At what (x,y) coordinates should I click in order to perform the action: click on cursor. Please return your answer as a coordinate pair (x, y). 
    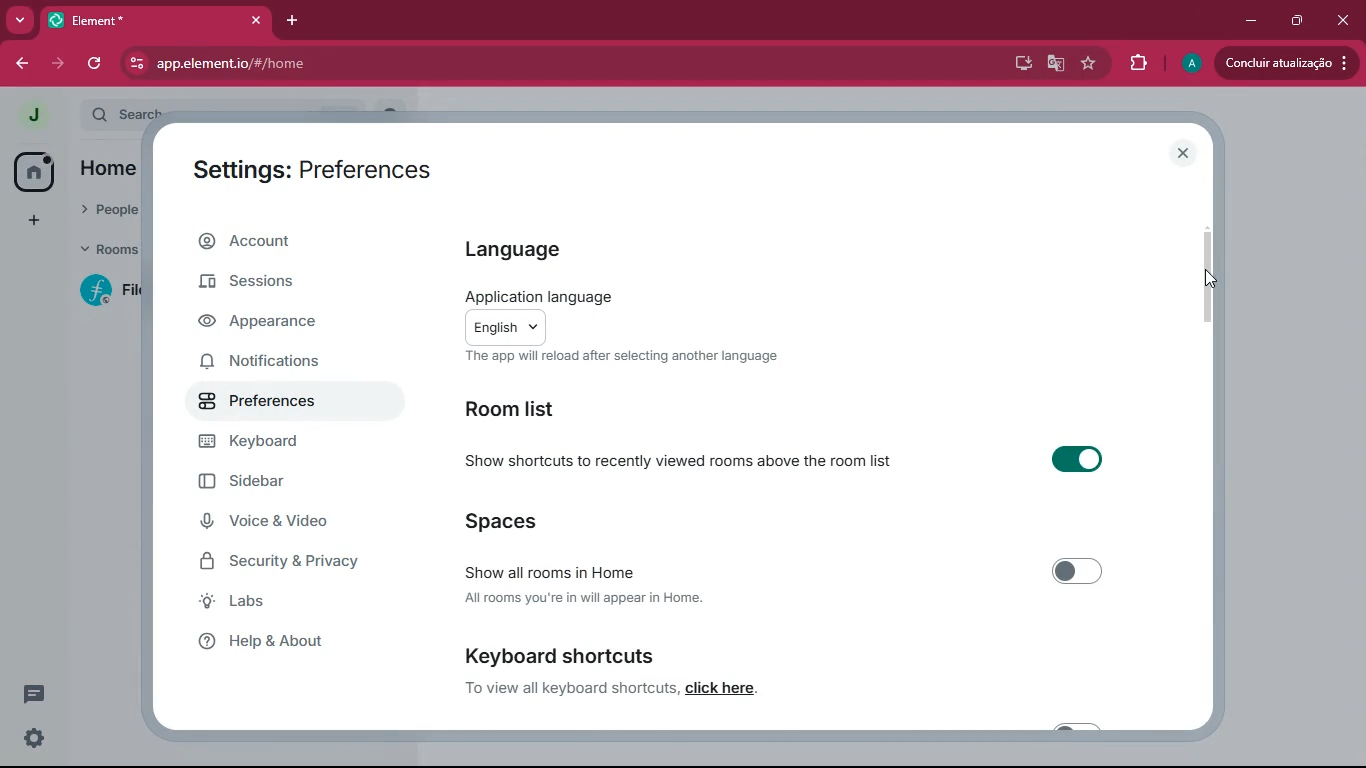
    Looking at the image, I should click on (1209, 282).